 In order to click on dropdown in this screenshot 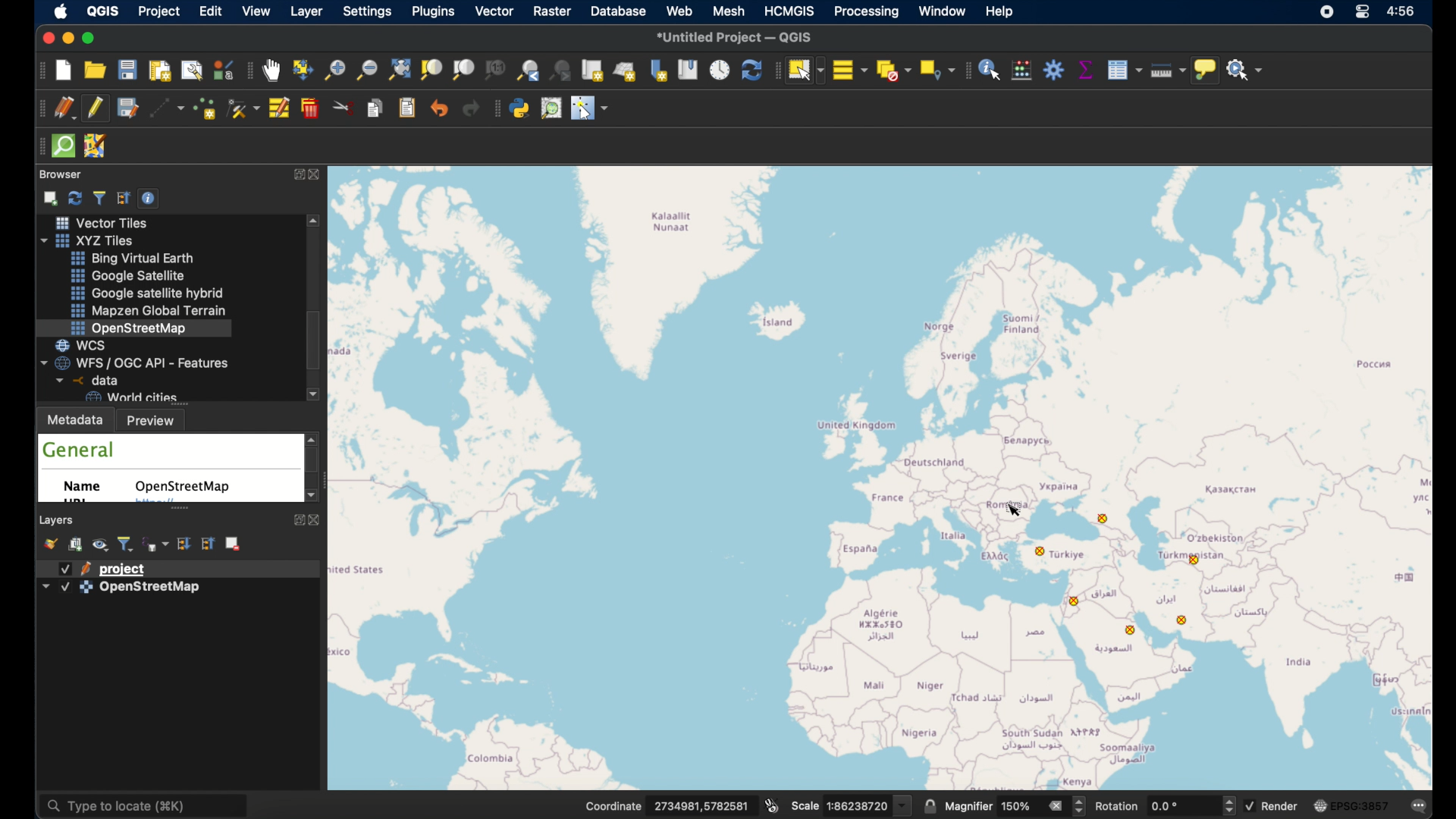, I will do `click(45, 585)`.